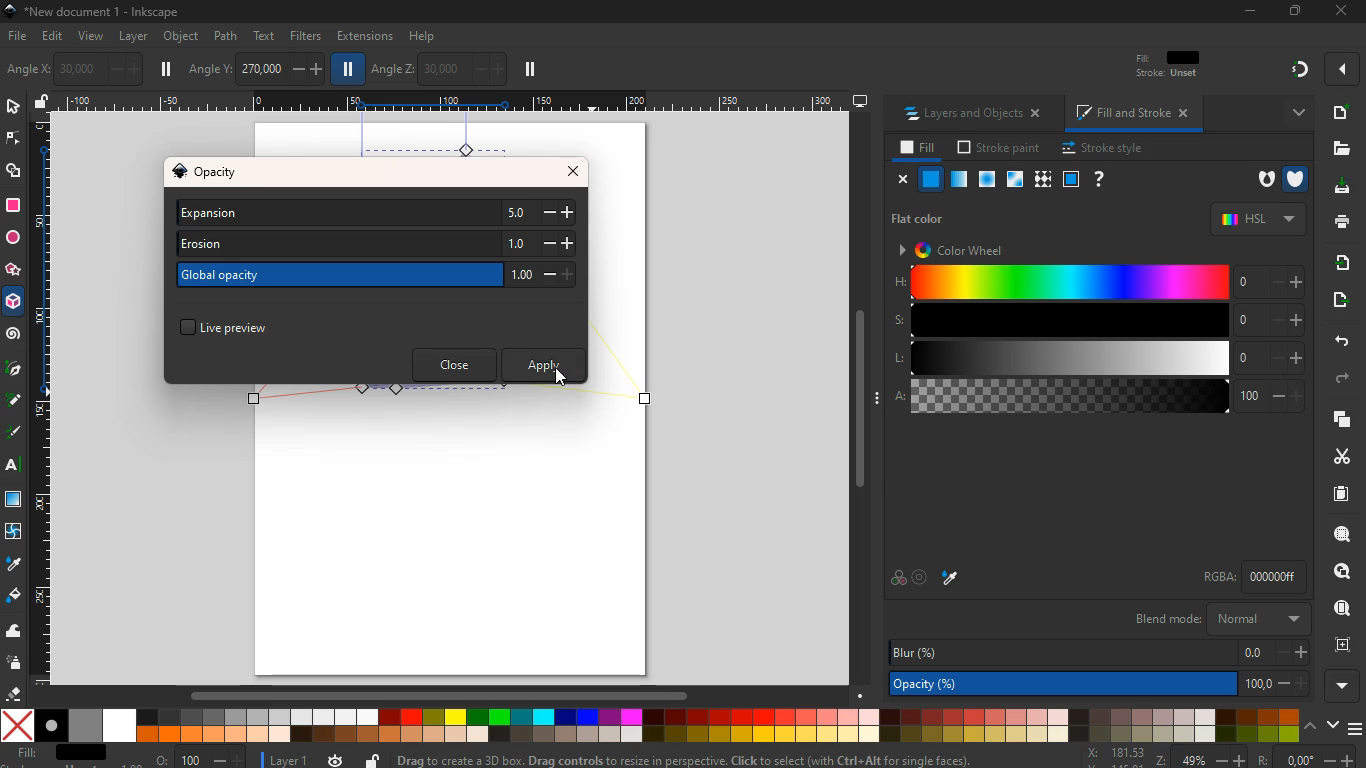 Image resolution: width=1366 pixels, height=768 pixels. What do you see at coordinates (92, 37) in the screenshot?
I see `view` at bounding box center [92, 37].